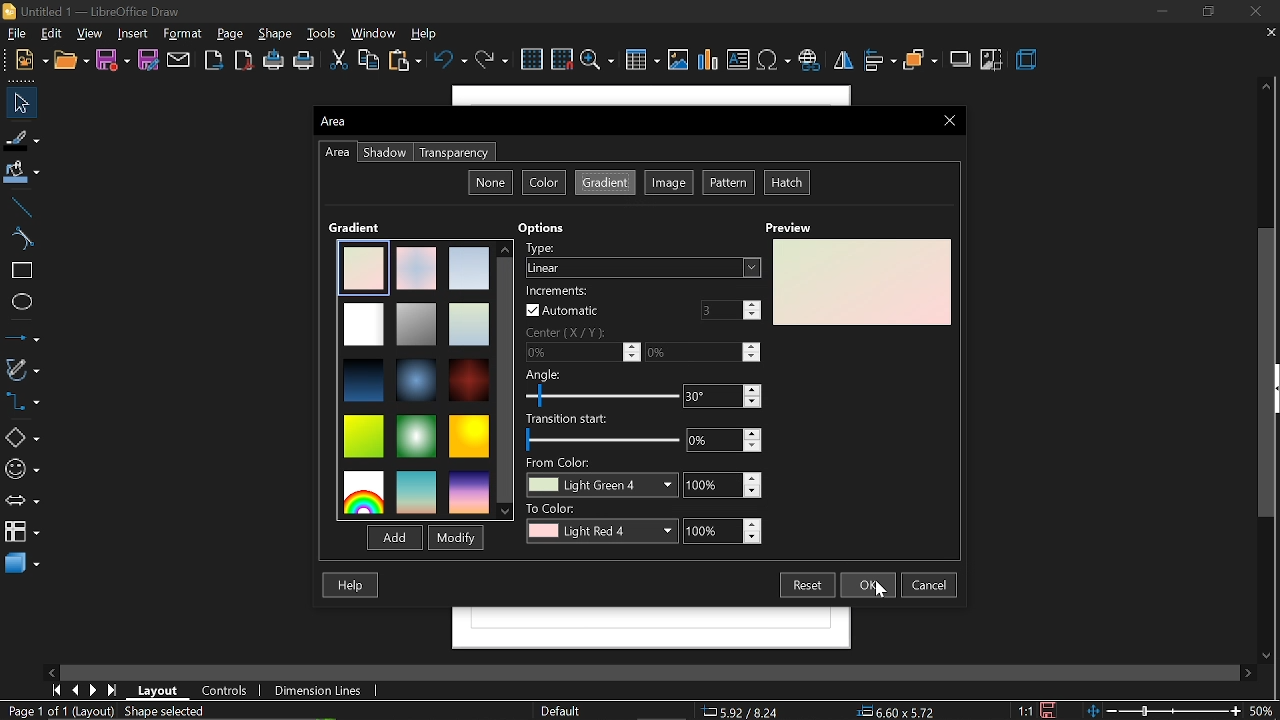  Describe the element at coordinates (22, 438) in the screenshot. I see `basic shapes` at that location.